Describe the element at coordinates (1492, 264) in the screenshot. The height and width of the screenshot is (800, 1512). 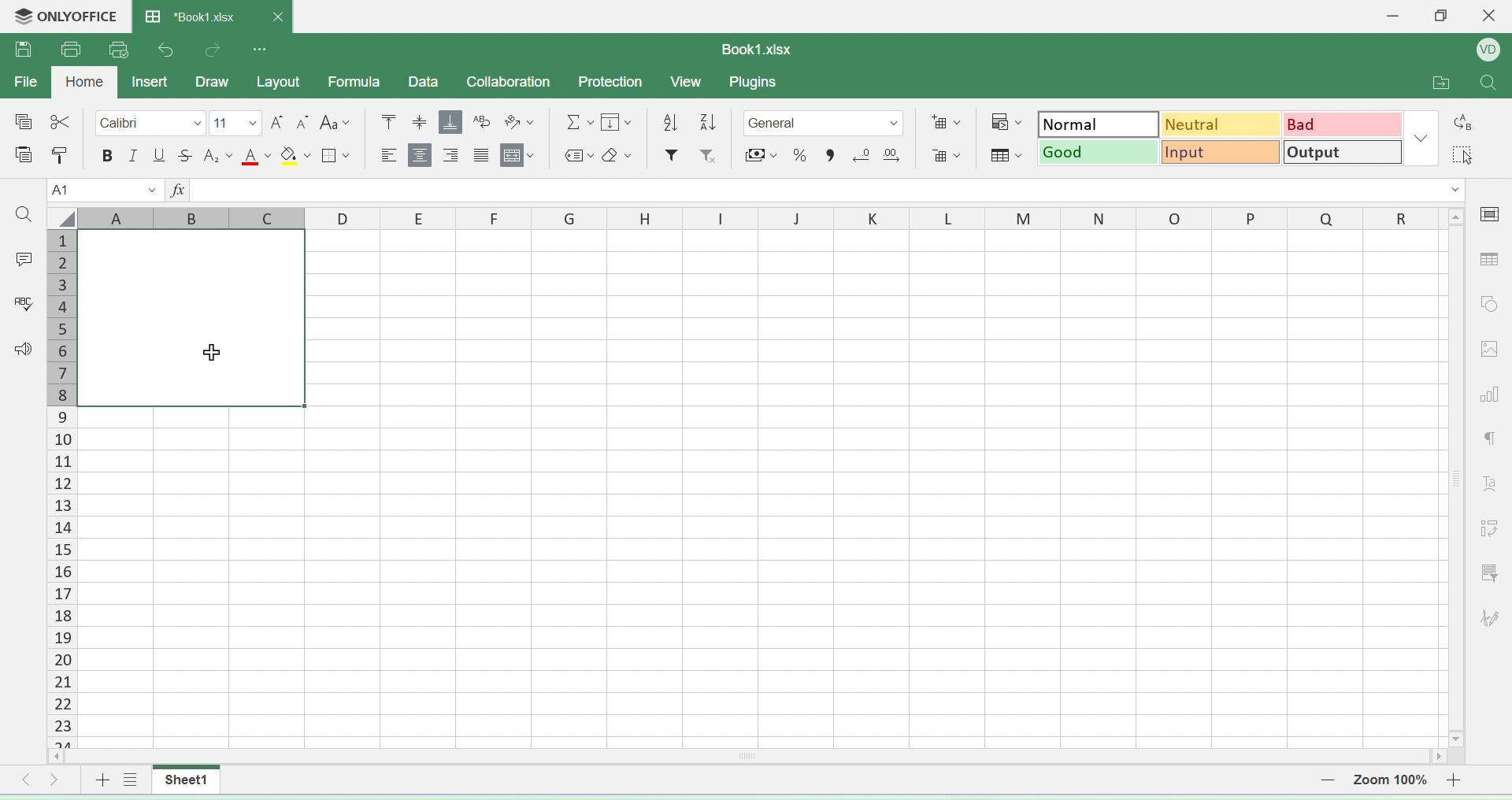
I see `table` at that location.